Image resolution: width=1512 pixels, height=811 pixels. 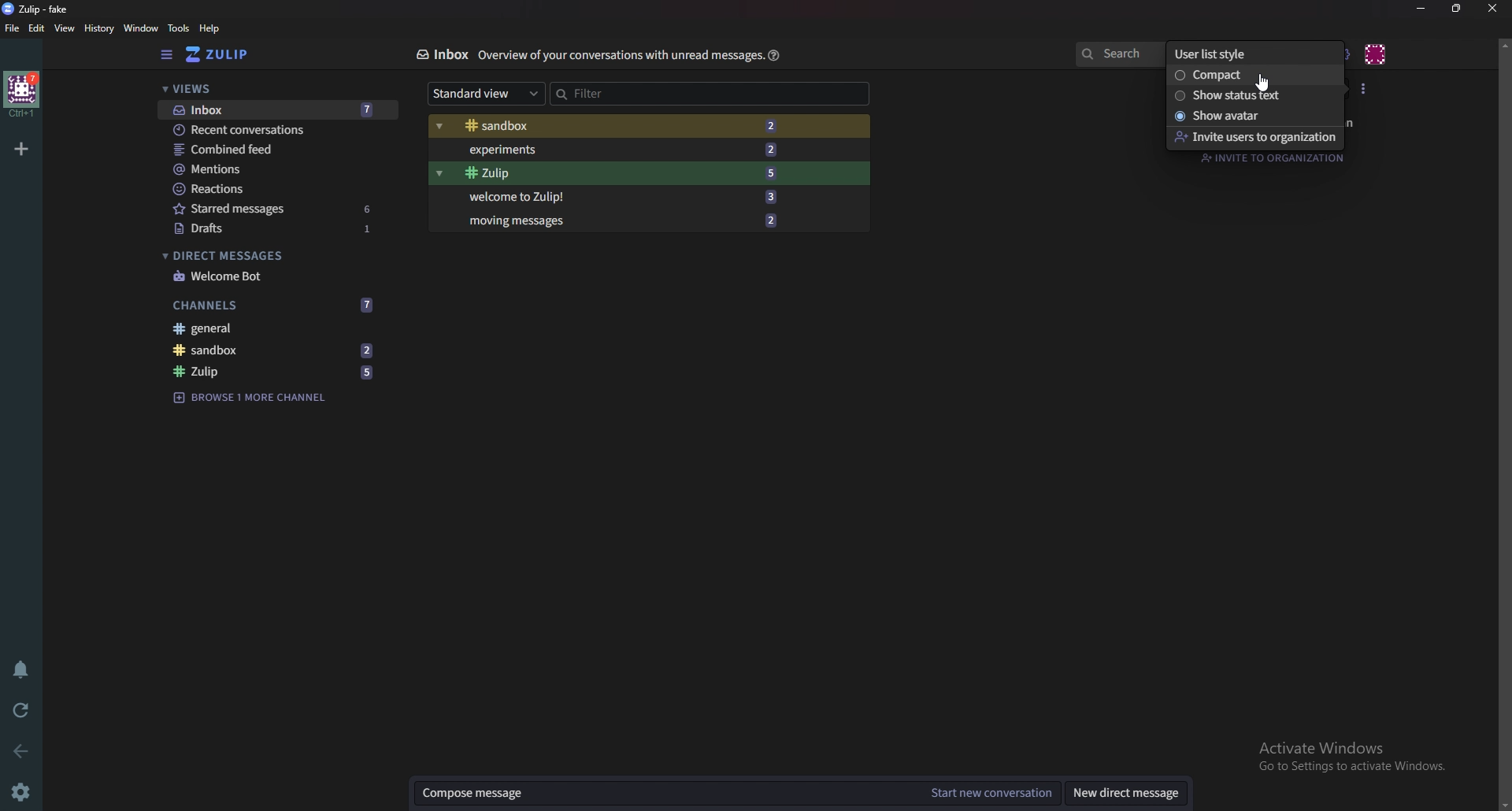 I want to click on Info, so click(x=616, y=55).